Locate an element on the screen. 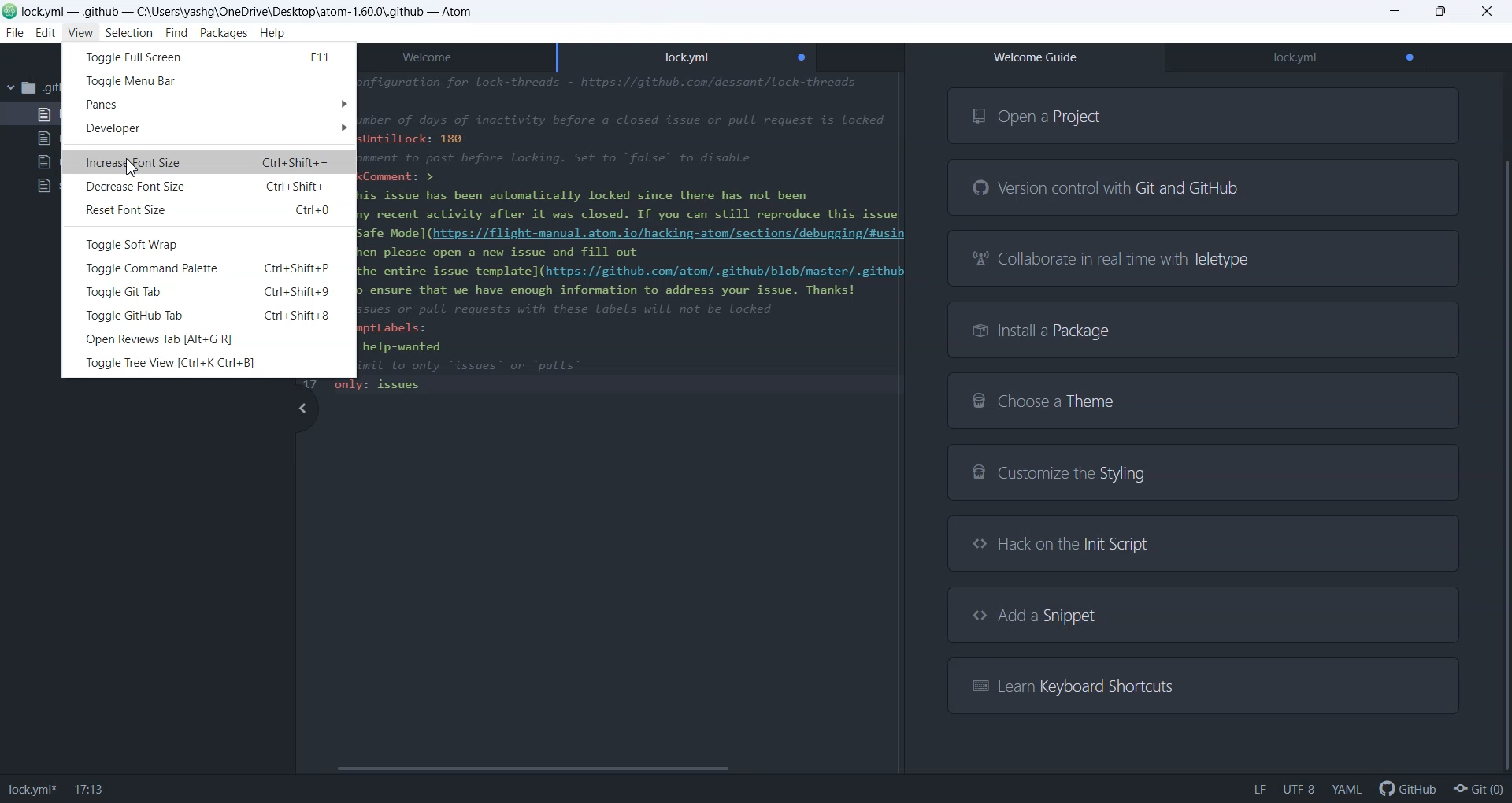  Lock.yml  is located at coordinates (1295, 58).